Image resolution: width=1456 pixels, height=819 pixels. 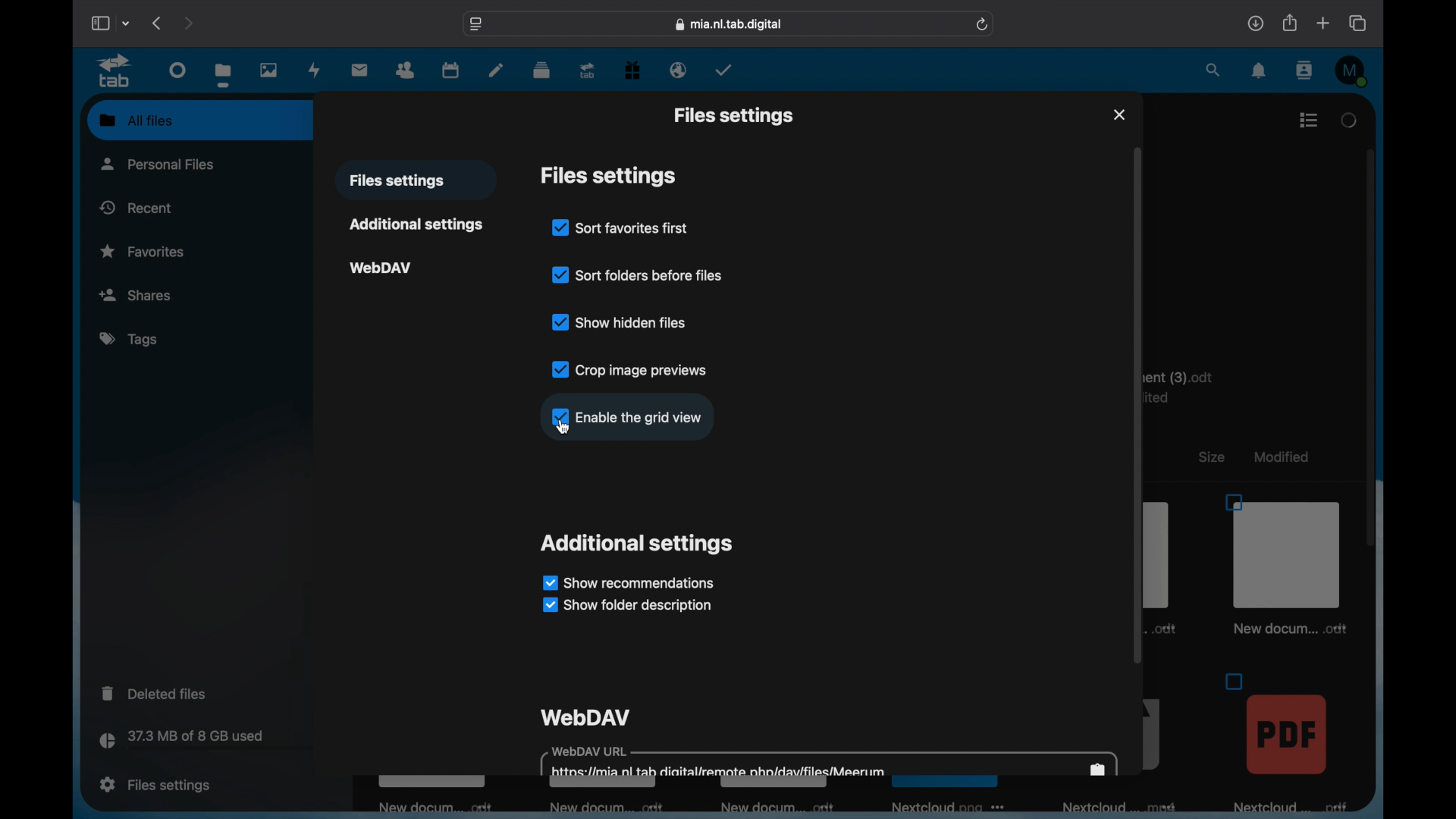 I want to click on refresh, so click(x=983, y=24).